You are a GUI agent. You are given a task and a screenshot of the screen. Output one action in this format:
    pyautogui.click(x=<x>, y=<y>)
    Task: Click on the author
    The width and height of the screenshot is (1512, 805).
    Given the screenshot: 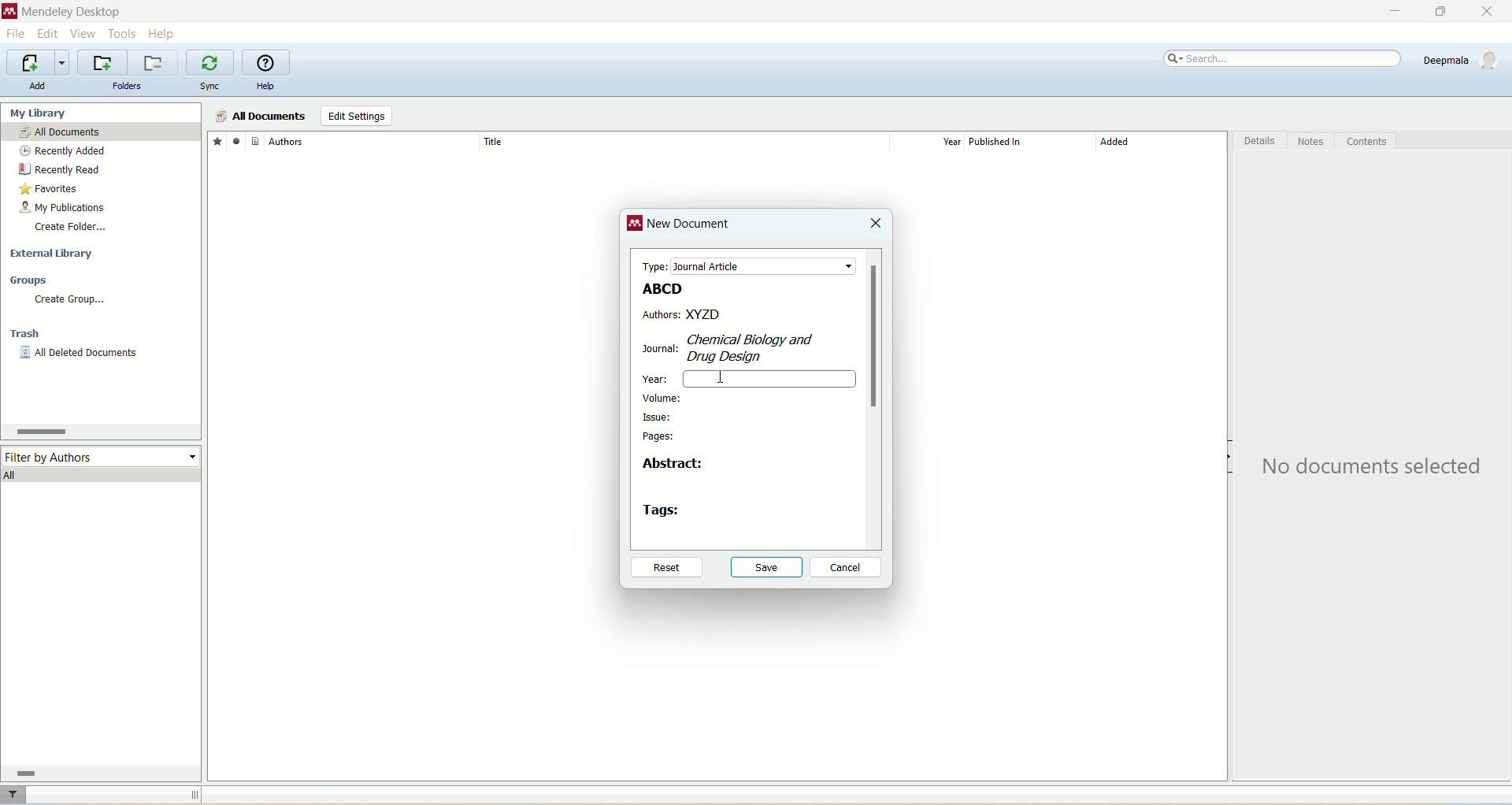 What is the action you would take?
    pyautogui.click(x=373, y=142)
    